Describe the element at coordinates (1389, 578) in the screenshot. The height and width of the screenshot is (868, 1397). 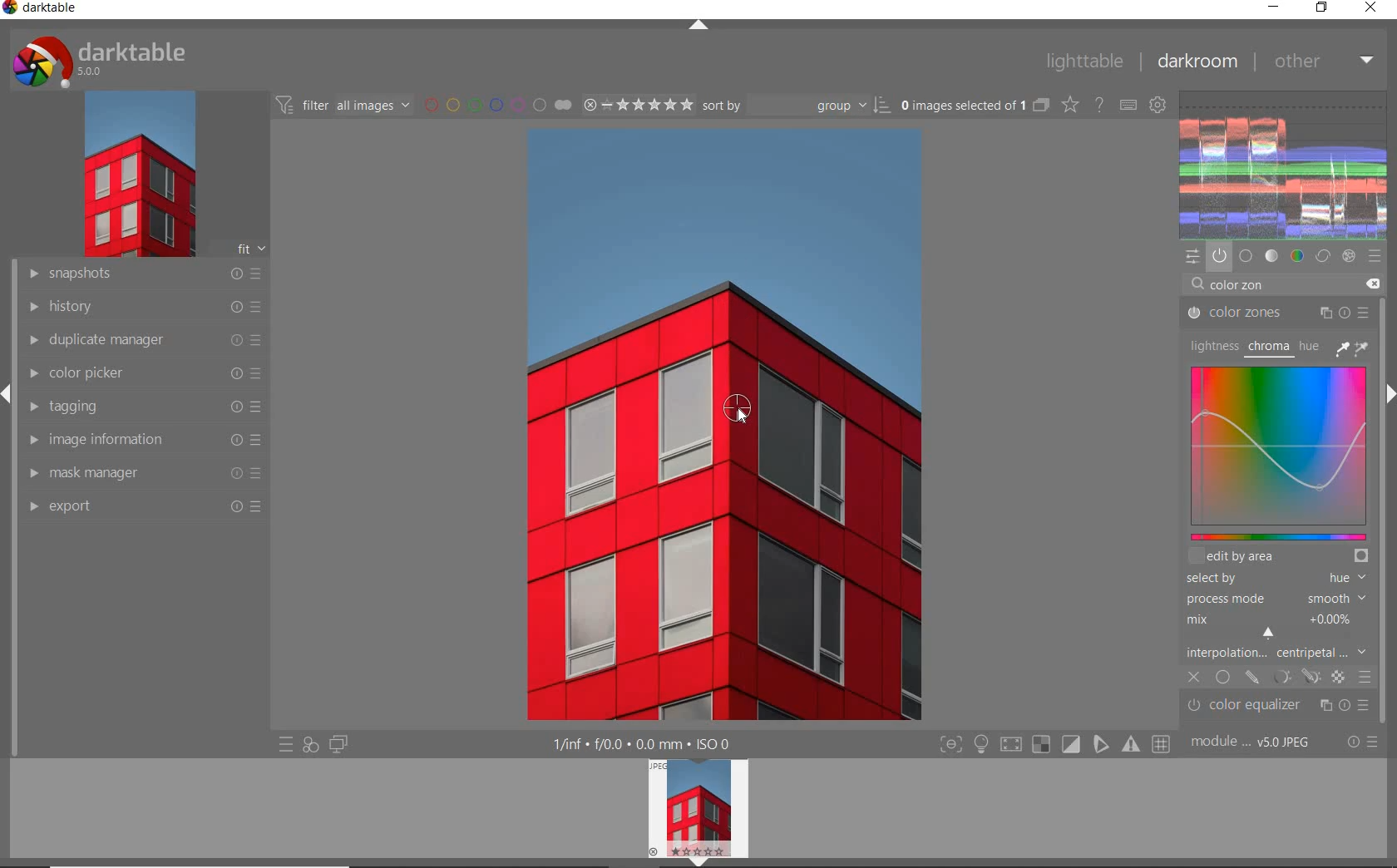
I see `scrollbar` at that location.